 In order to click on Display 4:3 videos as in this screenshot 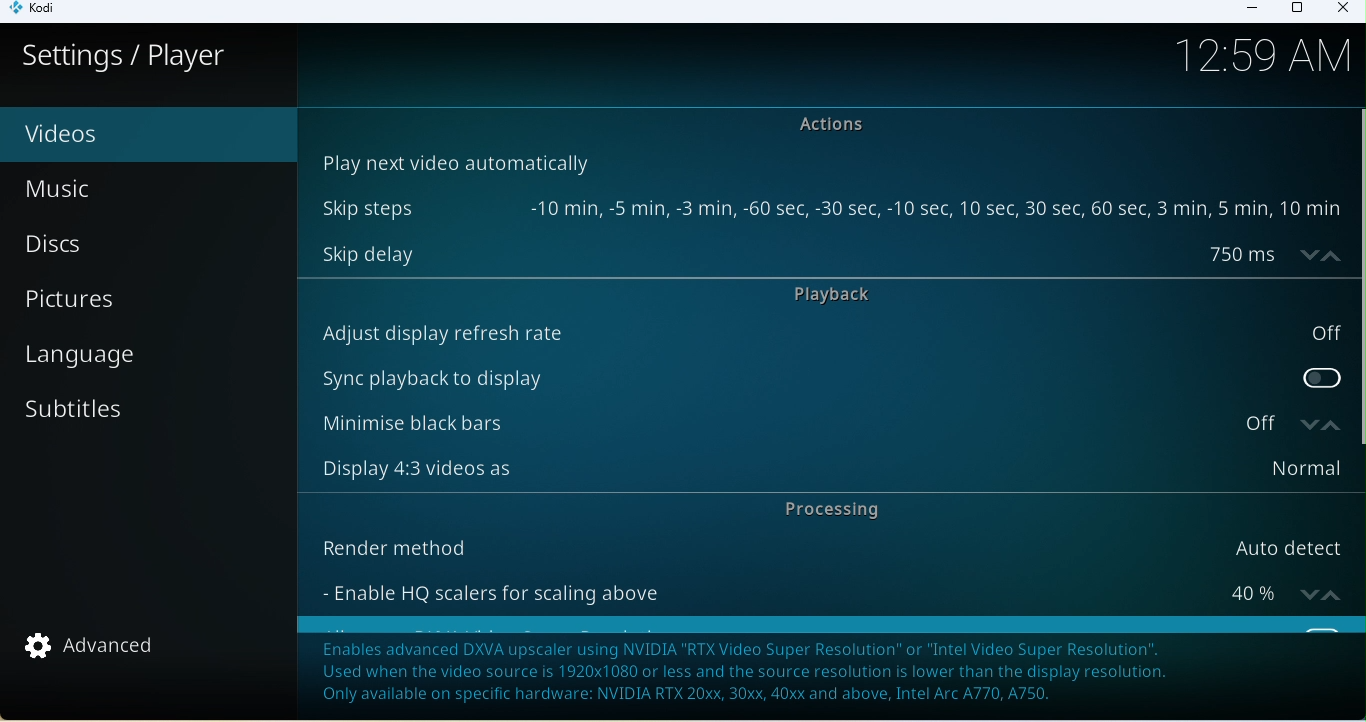, I will do `click(824, 469)`.